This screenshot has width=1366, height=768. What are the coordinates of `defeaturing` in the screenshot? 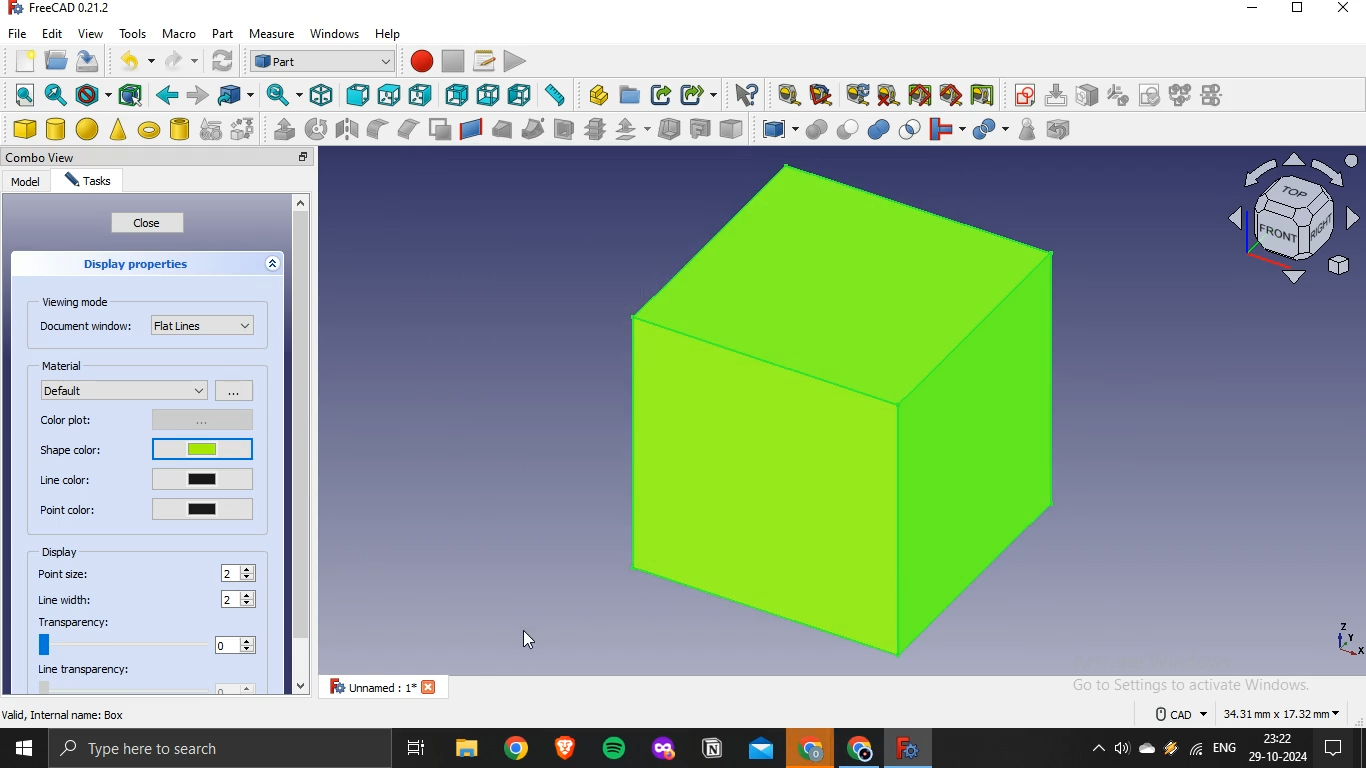 It's located at (1063, 129).